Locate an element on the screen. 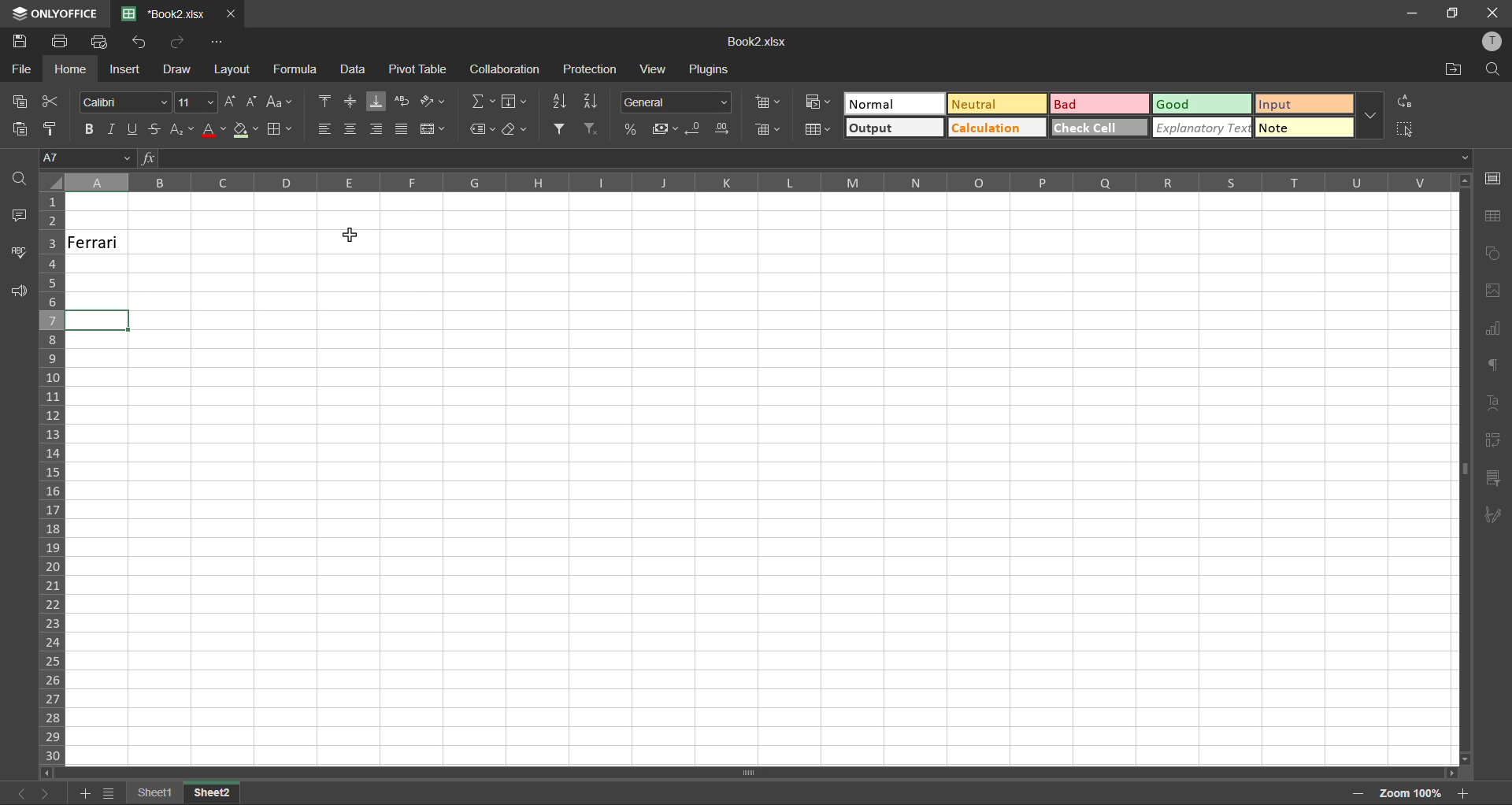 This screenshot has width=1512, height=805. bad is located at coordinates (1100, 105).